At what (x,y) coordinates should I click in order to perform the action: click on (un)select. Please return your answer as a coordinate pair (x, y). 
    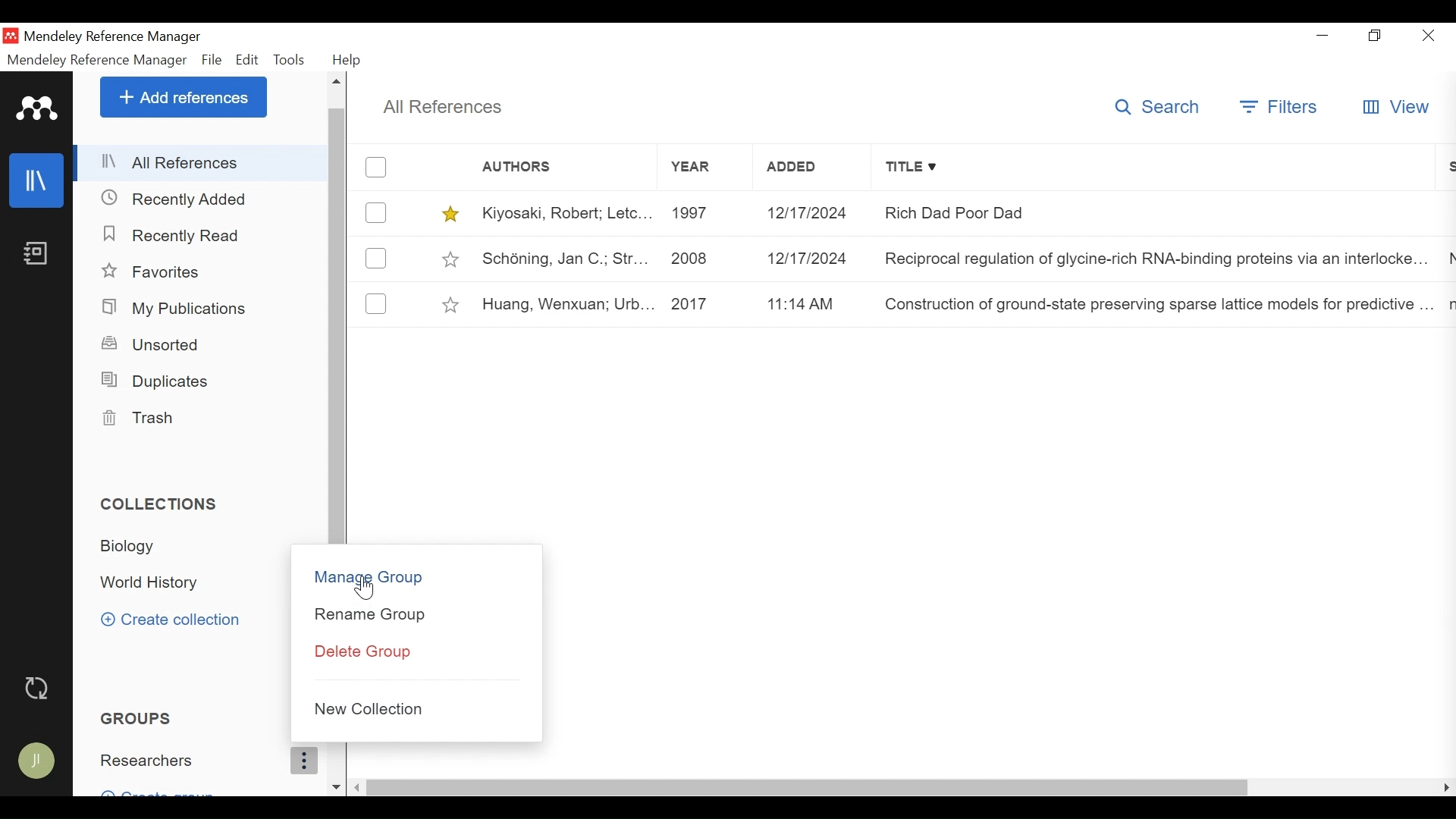
    Looking at the image, I should click on (376, 304).